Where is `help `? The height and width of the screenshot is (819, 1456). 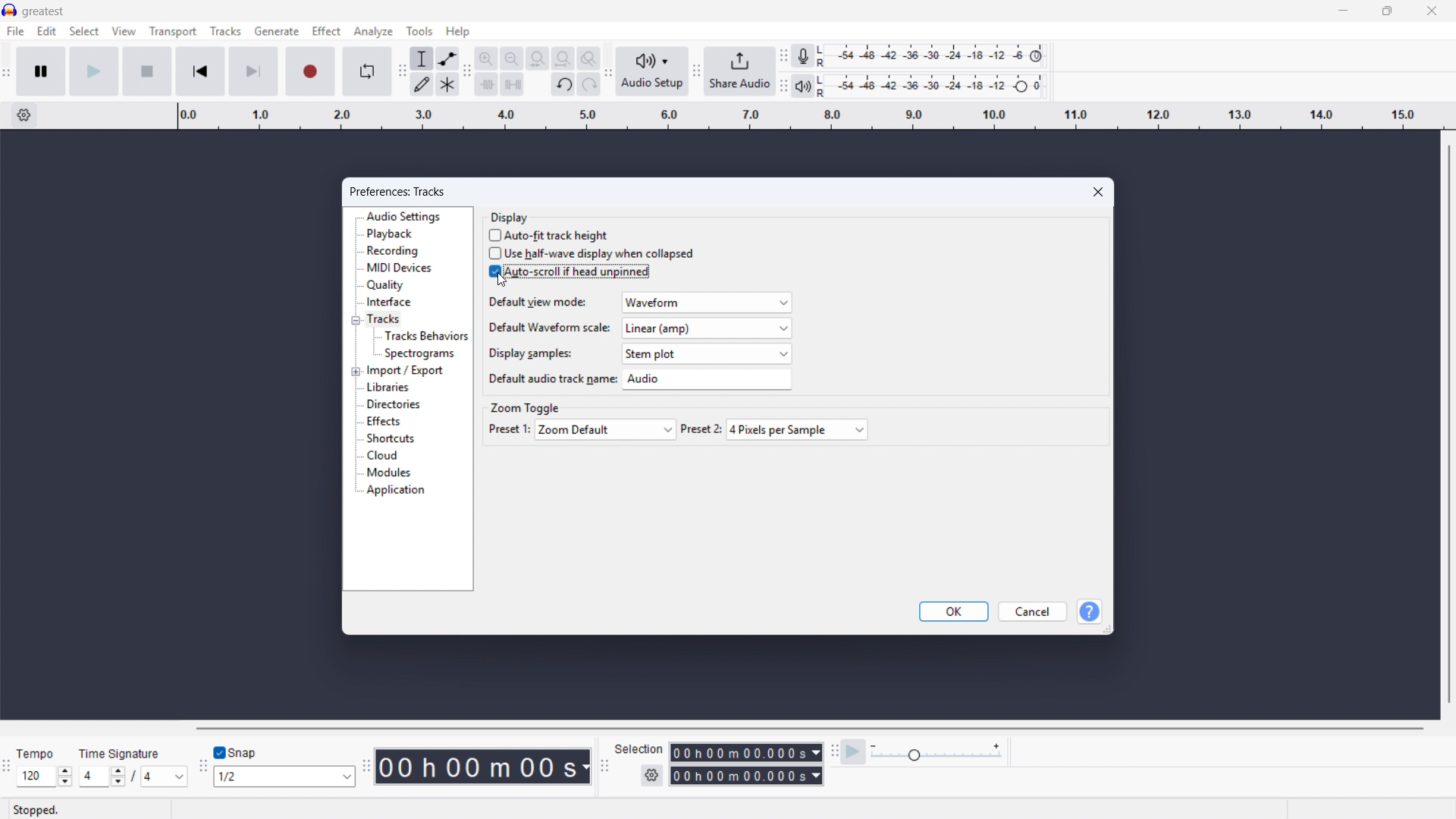
help  is located at coordinates (1088, 611).